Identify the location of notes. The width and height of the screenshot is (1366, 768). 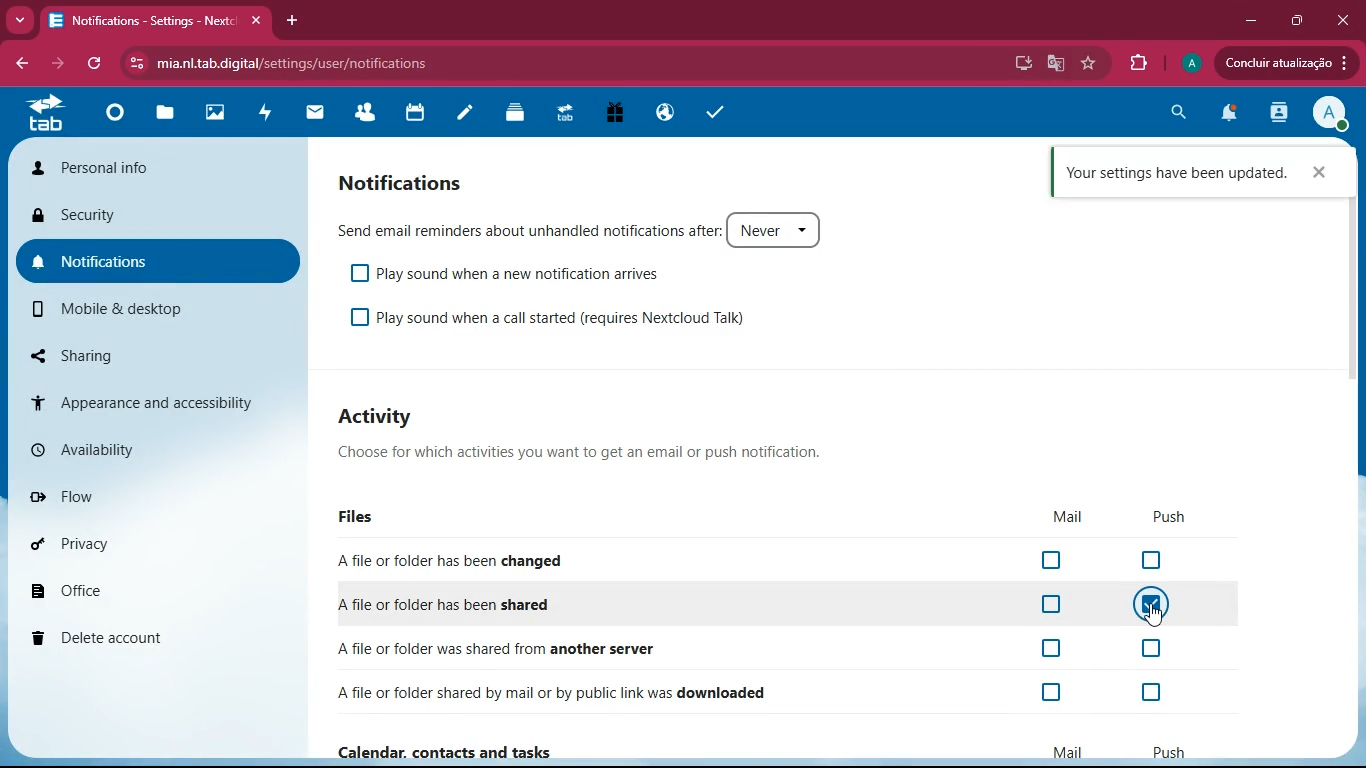
(462, 115).